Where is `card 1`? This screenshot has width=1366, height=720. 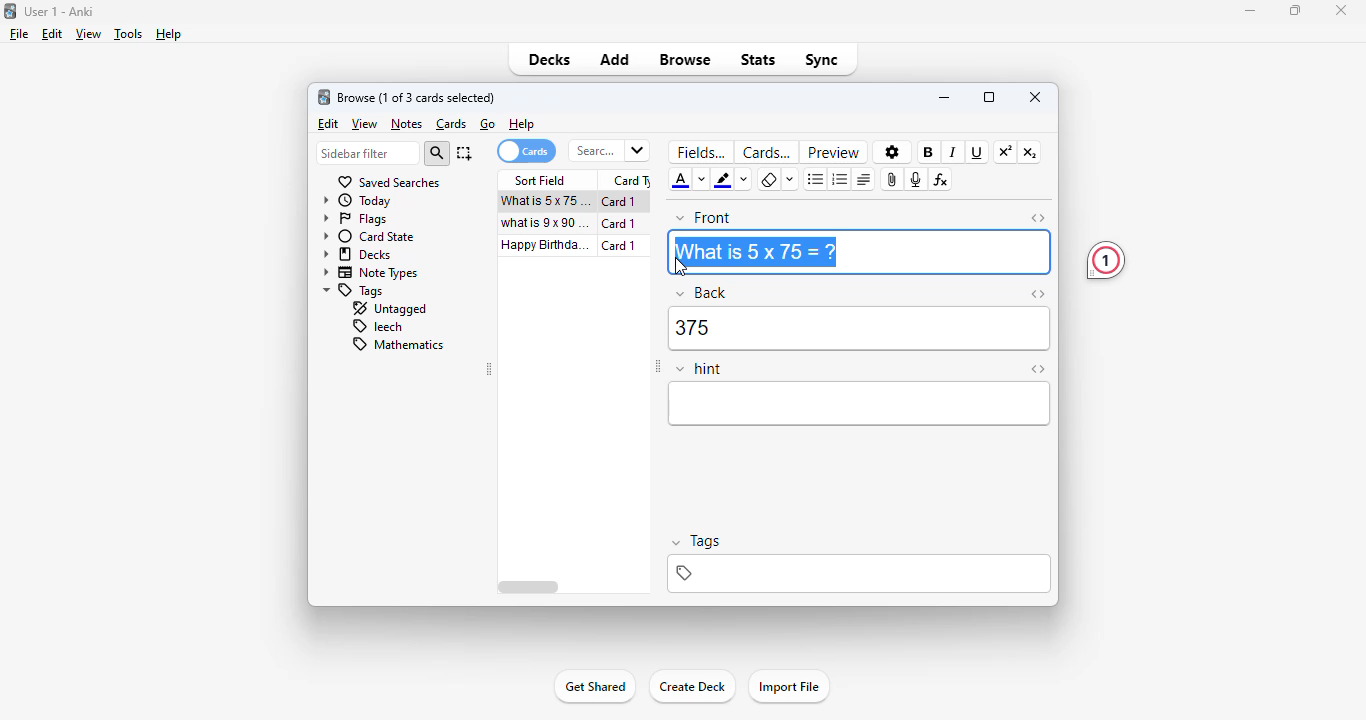 card 1 is located at coordinates (619, 246).